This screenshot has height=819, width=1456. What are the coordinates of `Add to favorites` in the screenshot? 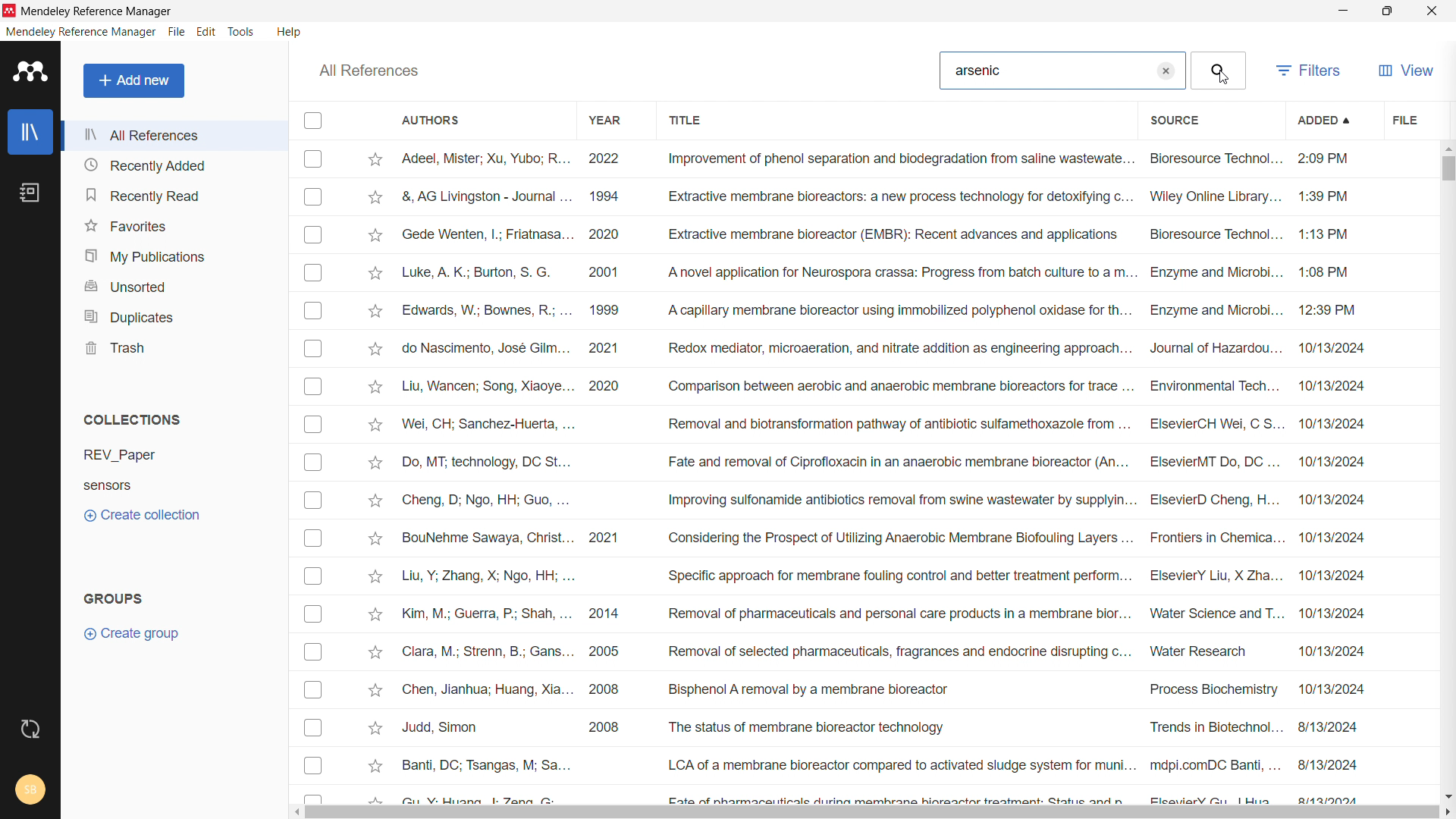 It's located at (377, 576).